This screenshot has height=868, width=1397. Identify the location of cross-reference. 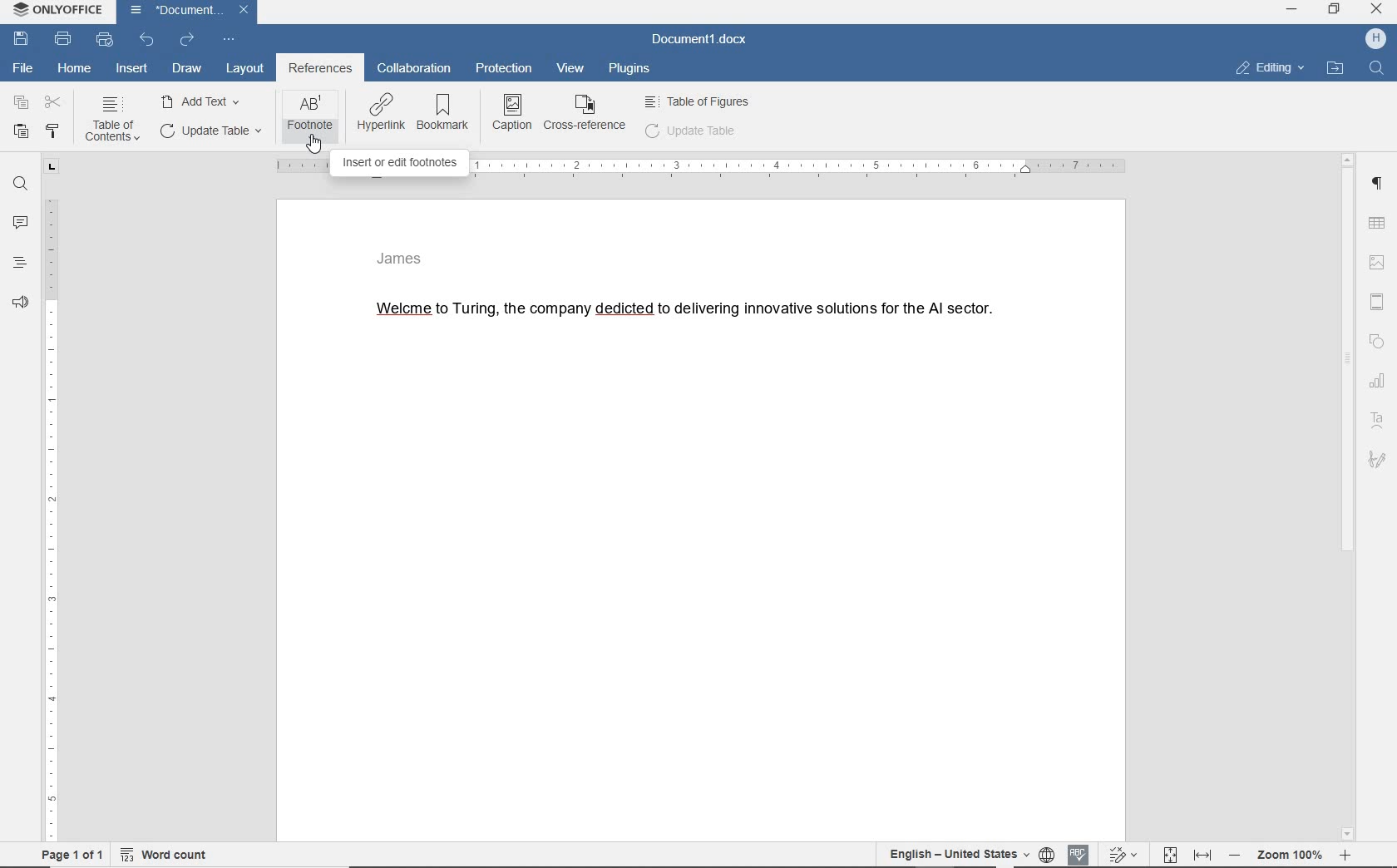
(587, 114).